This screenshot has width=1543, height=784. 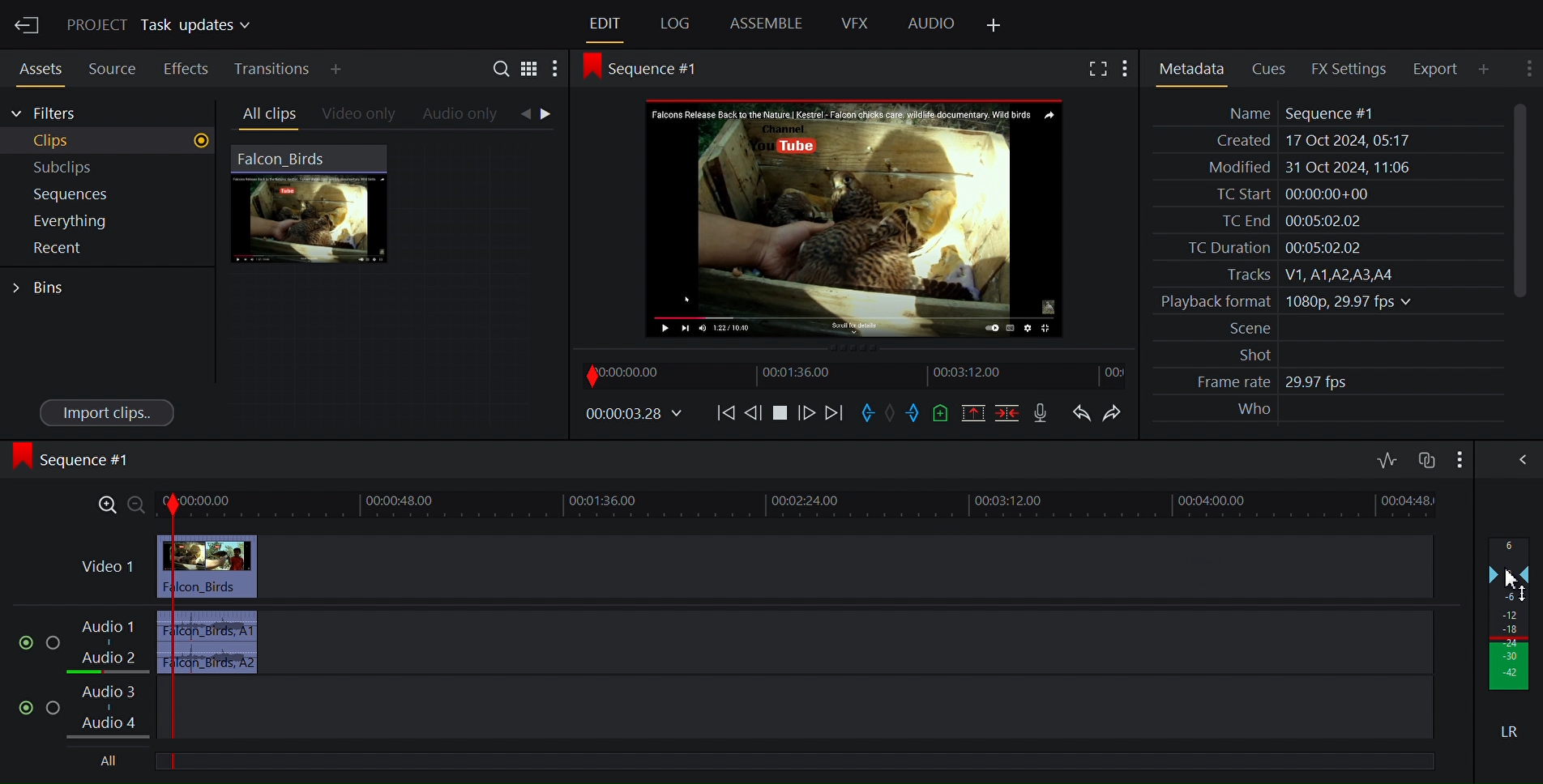 What do you see at coordinates (28, 26) in the screenshot?
I see `Exit Current Project` at bounding box center [28, 26].